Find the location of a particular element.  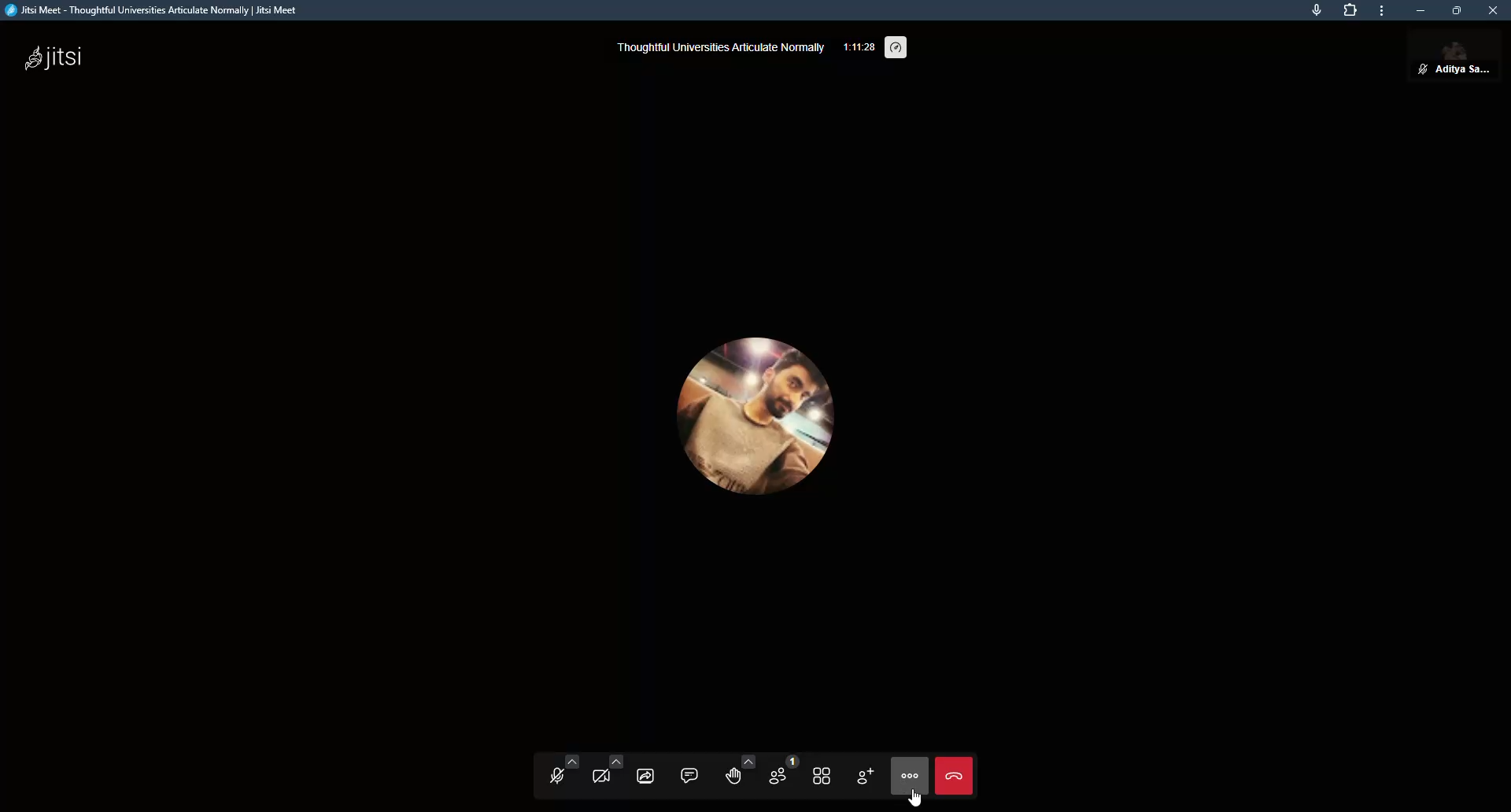

unmute mic is located at coordinates (554, 781).